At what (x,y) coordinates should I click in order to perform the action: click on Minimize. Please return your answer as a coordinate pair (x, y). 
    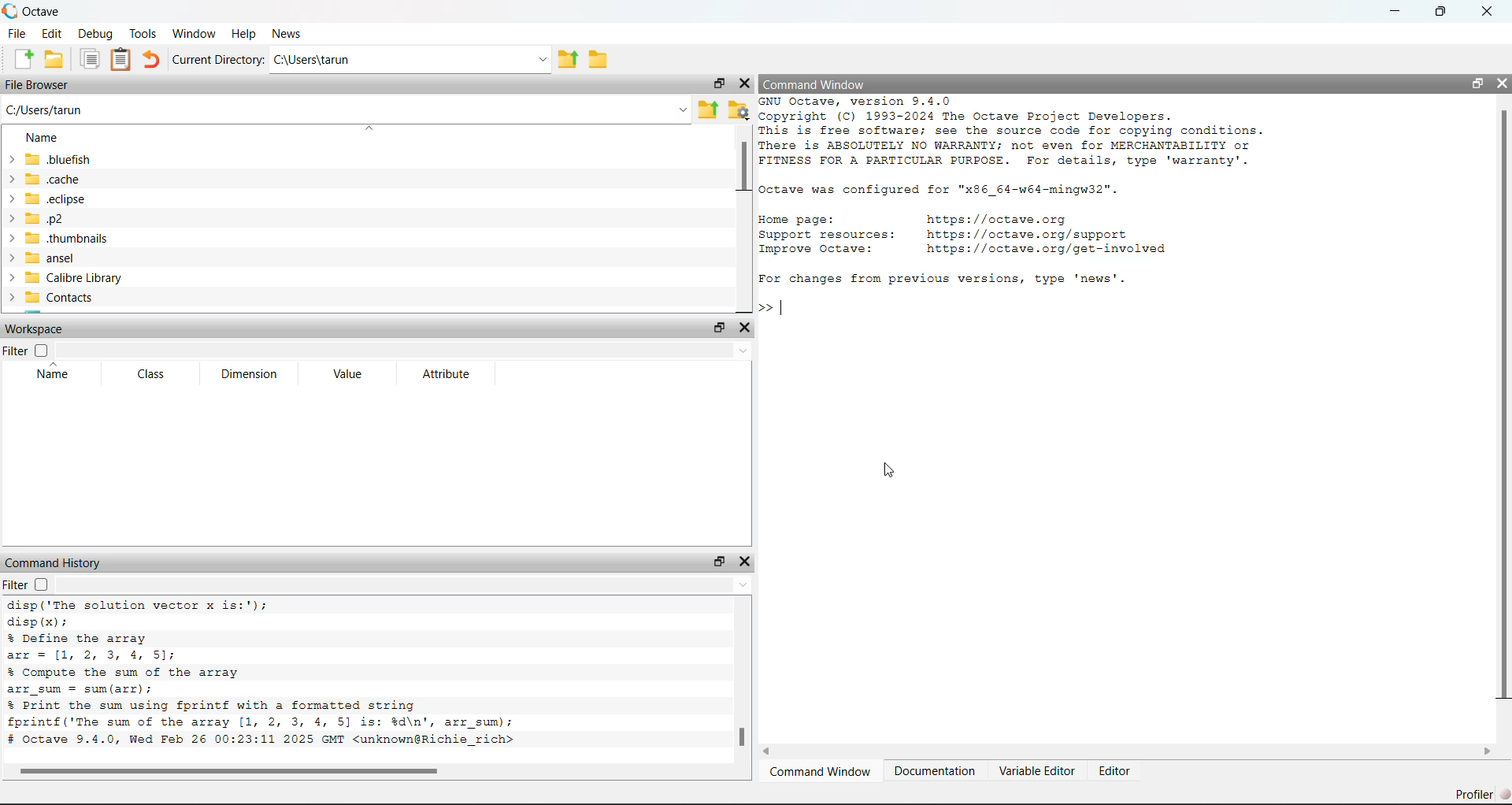
    Looking at the image, I should click on (1398, 11).